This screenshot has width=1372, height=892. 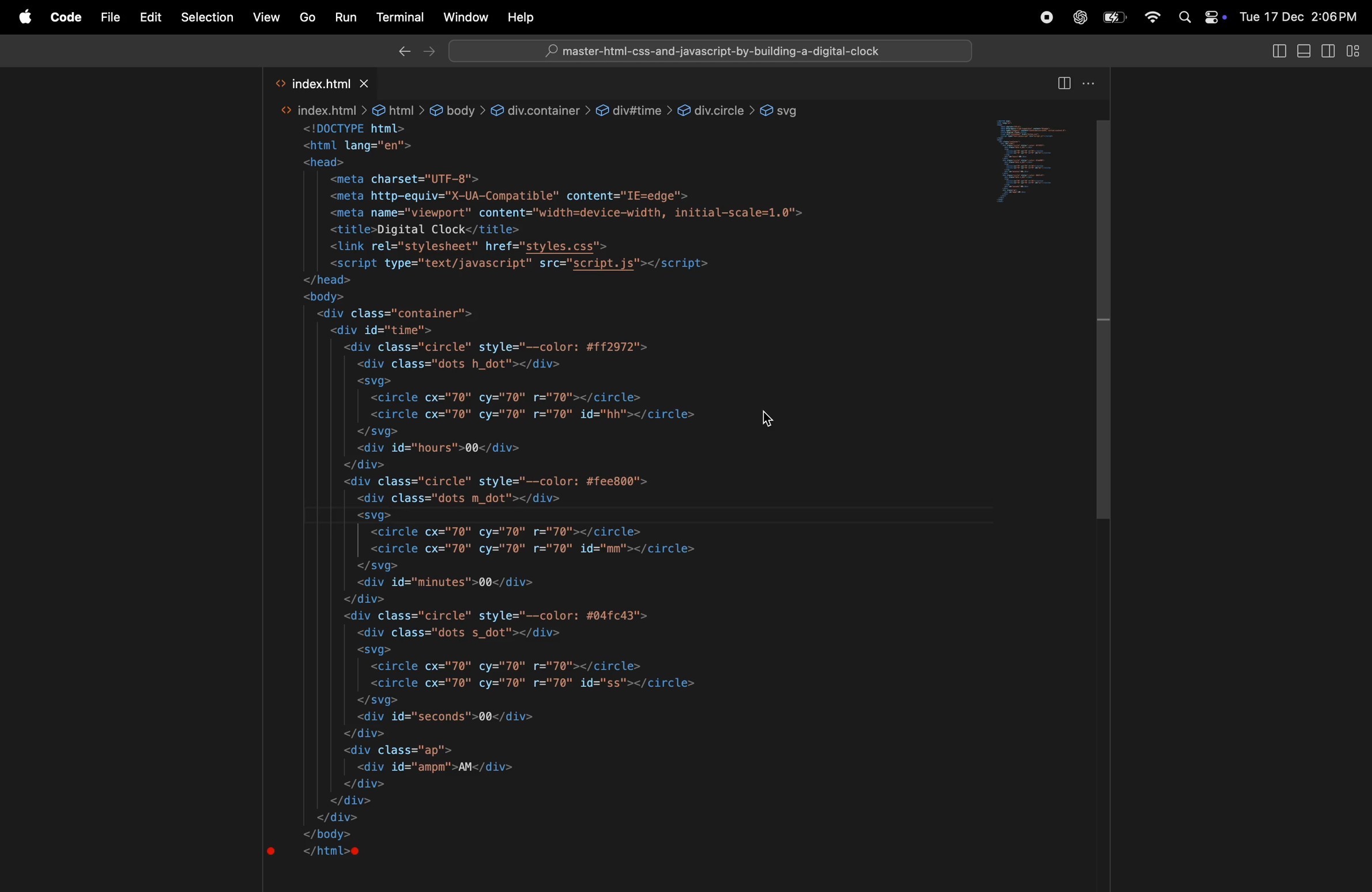 I want to click on Spotlight, so click(x=1182, y=17).